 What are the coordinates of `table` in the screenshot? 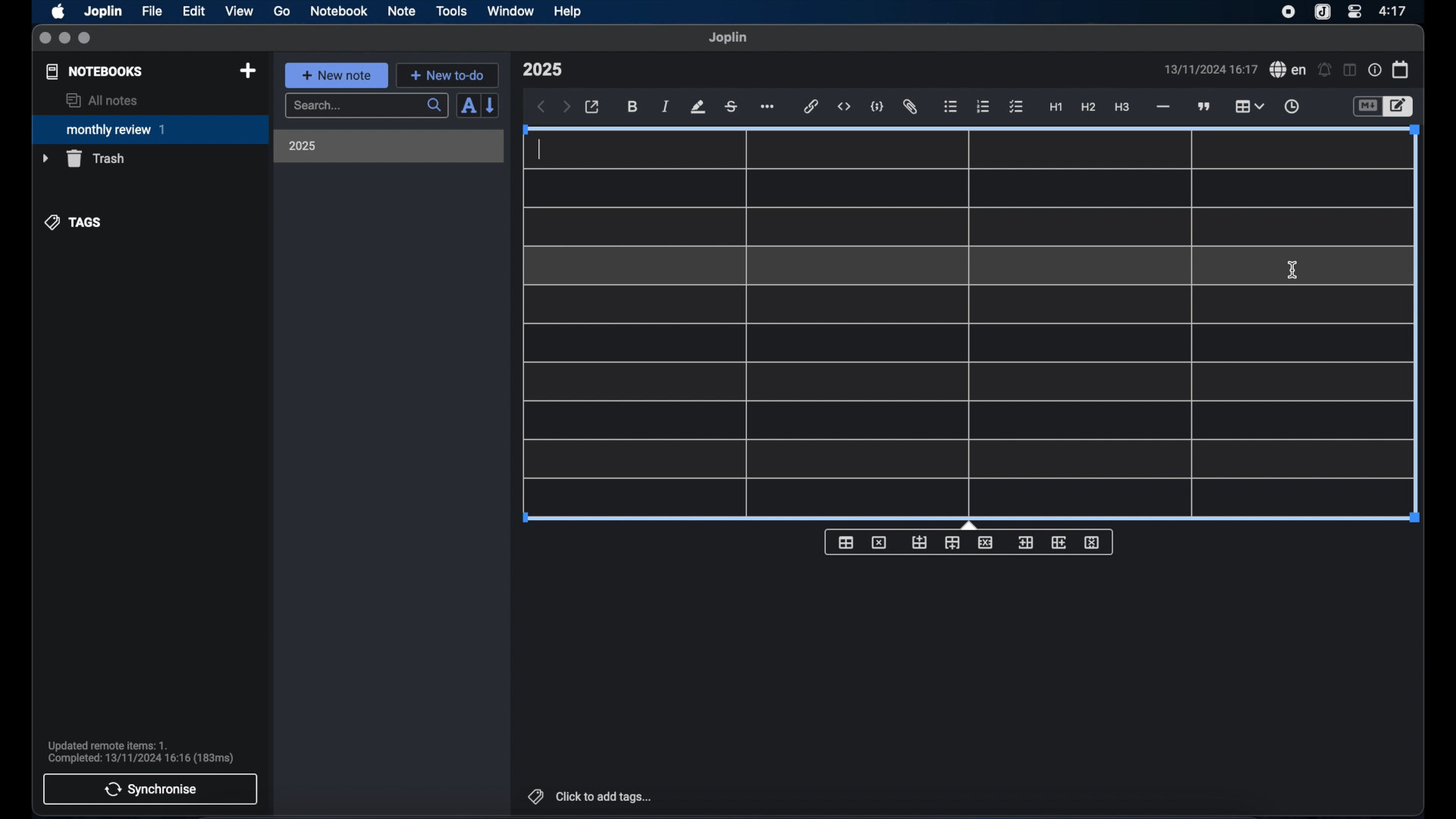 It's located at (971, 323).